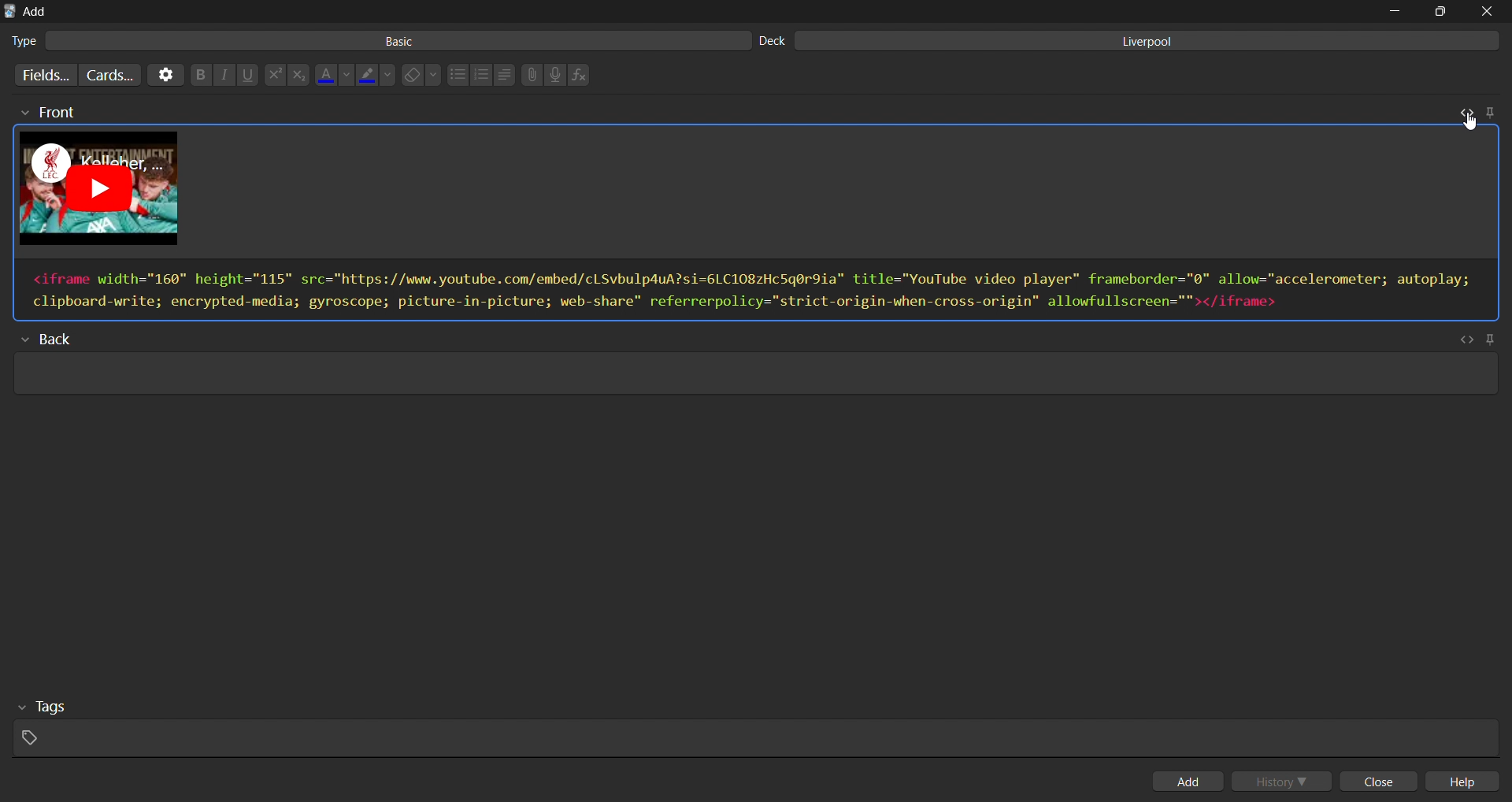 This screenshot has width=1512, height=802. What do you see at coordinates (1469, 782) in the screenshot?
I see `help` at bounding box center [1469, 782].